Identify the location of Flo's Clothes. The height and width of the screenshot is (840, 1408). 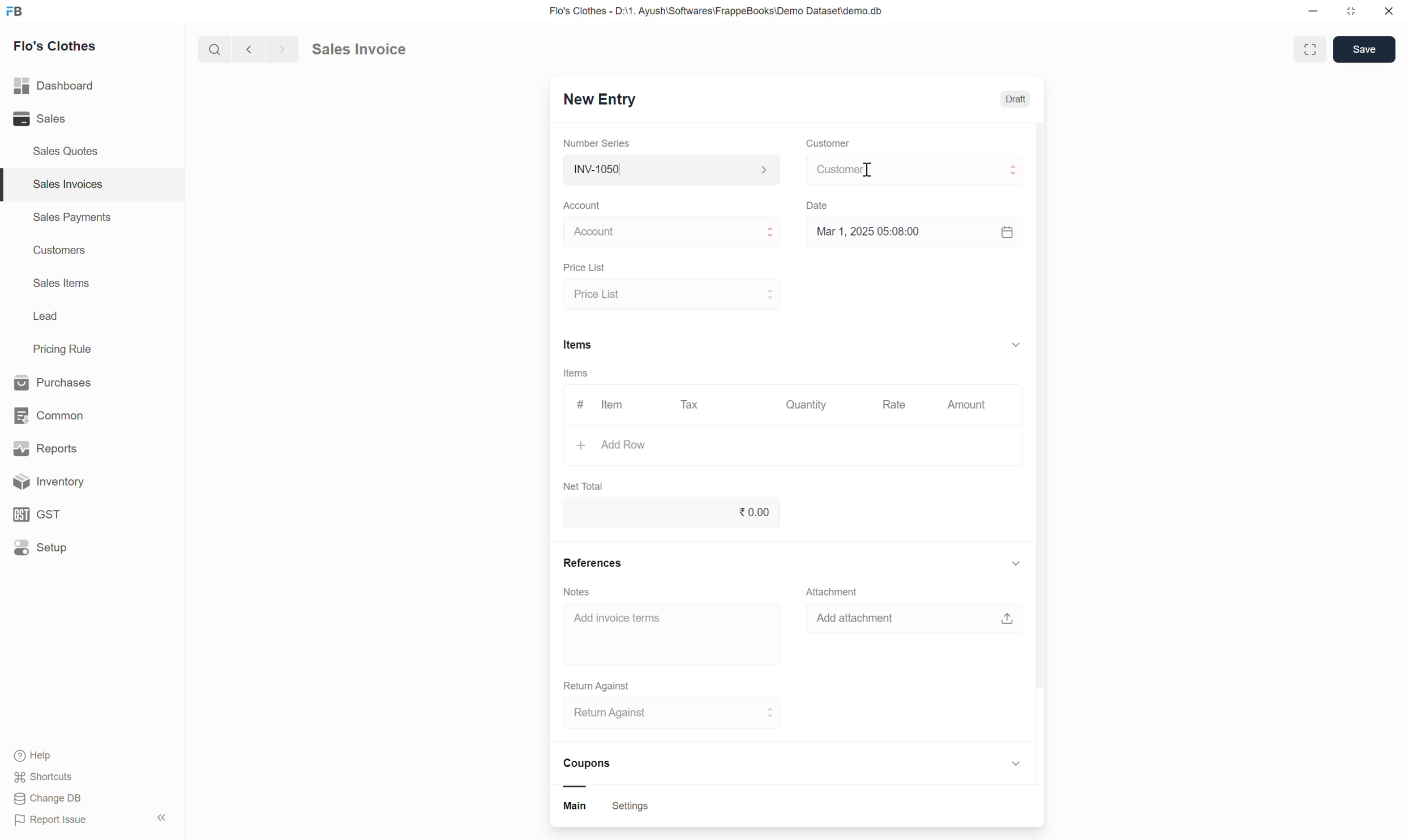
(61, 48).